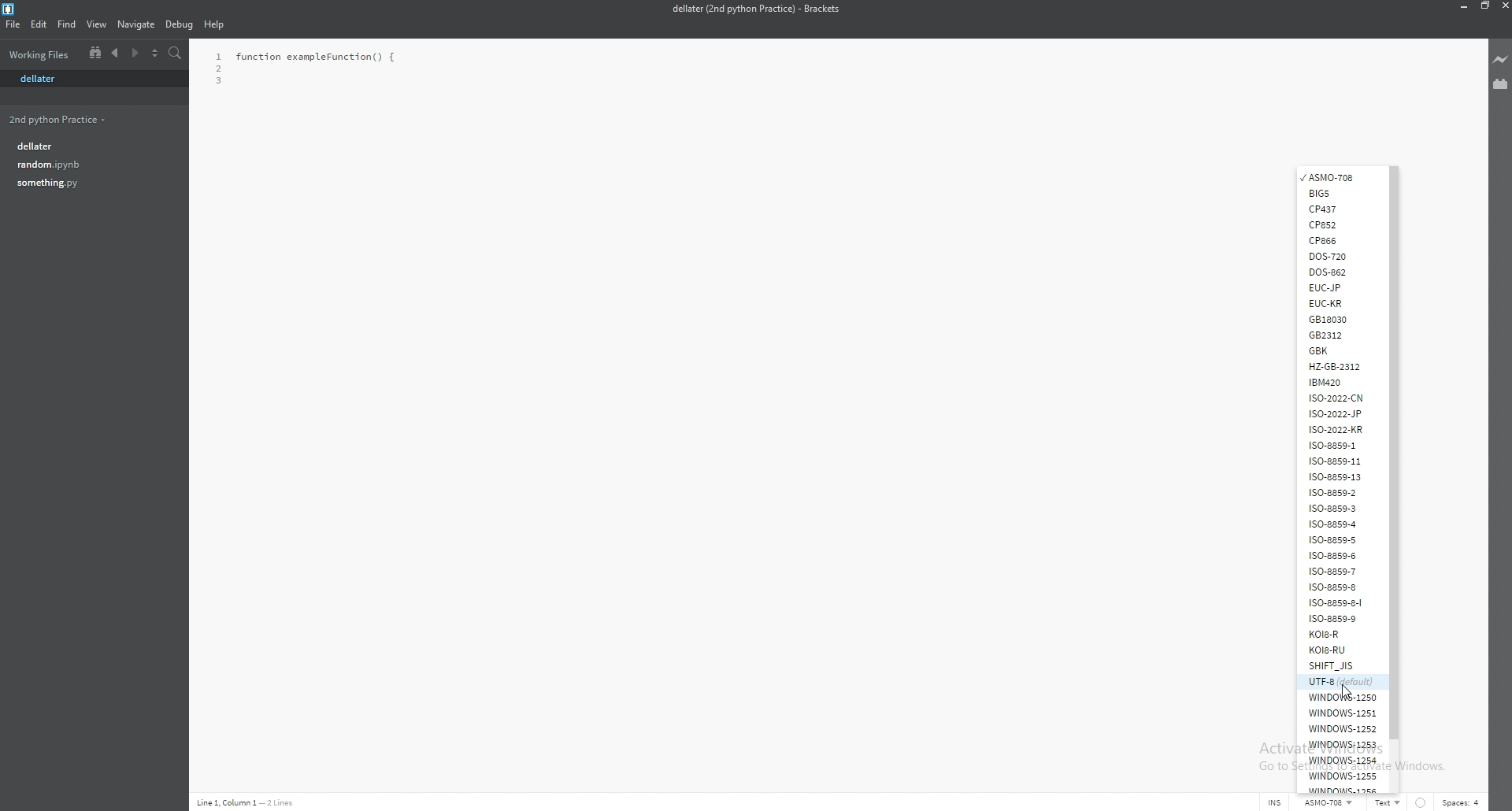  What do you see at coordinates (1499, 85) in the screenshot?
I see `extension manager` at bounding box center [1499, 85].